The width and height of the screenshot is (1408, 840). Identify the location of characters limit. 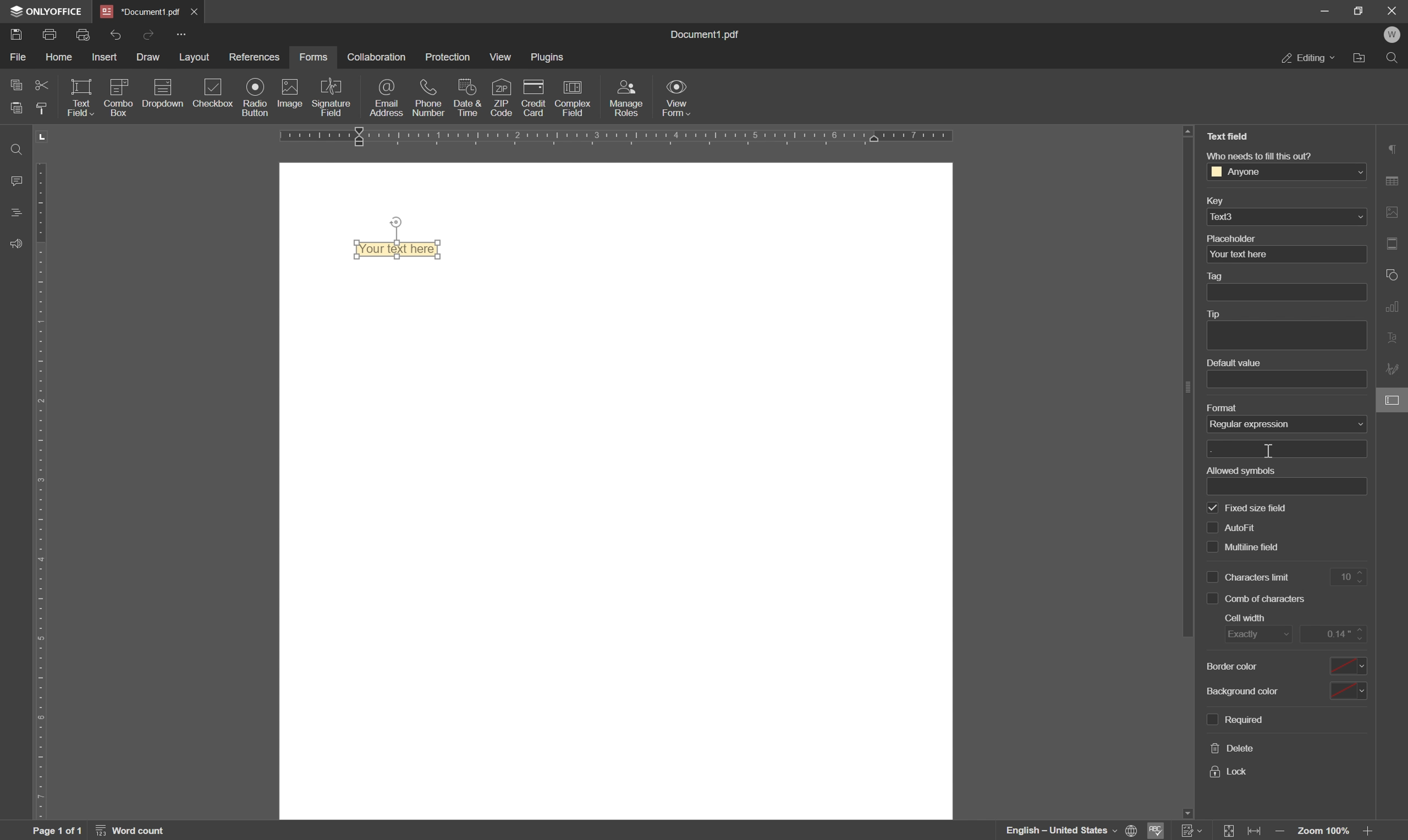
(1261, 546).